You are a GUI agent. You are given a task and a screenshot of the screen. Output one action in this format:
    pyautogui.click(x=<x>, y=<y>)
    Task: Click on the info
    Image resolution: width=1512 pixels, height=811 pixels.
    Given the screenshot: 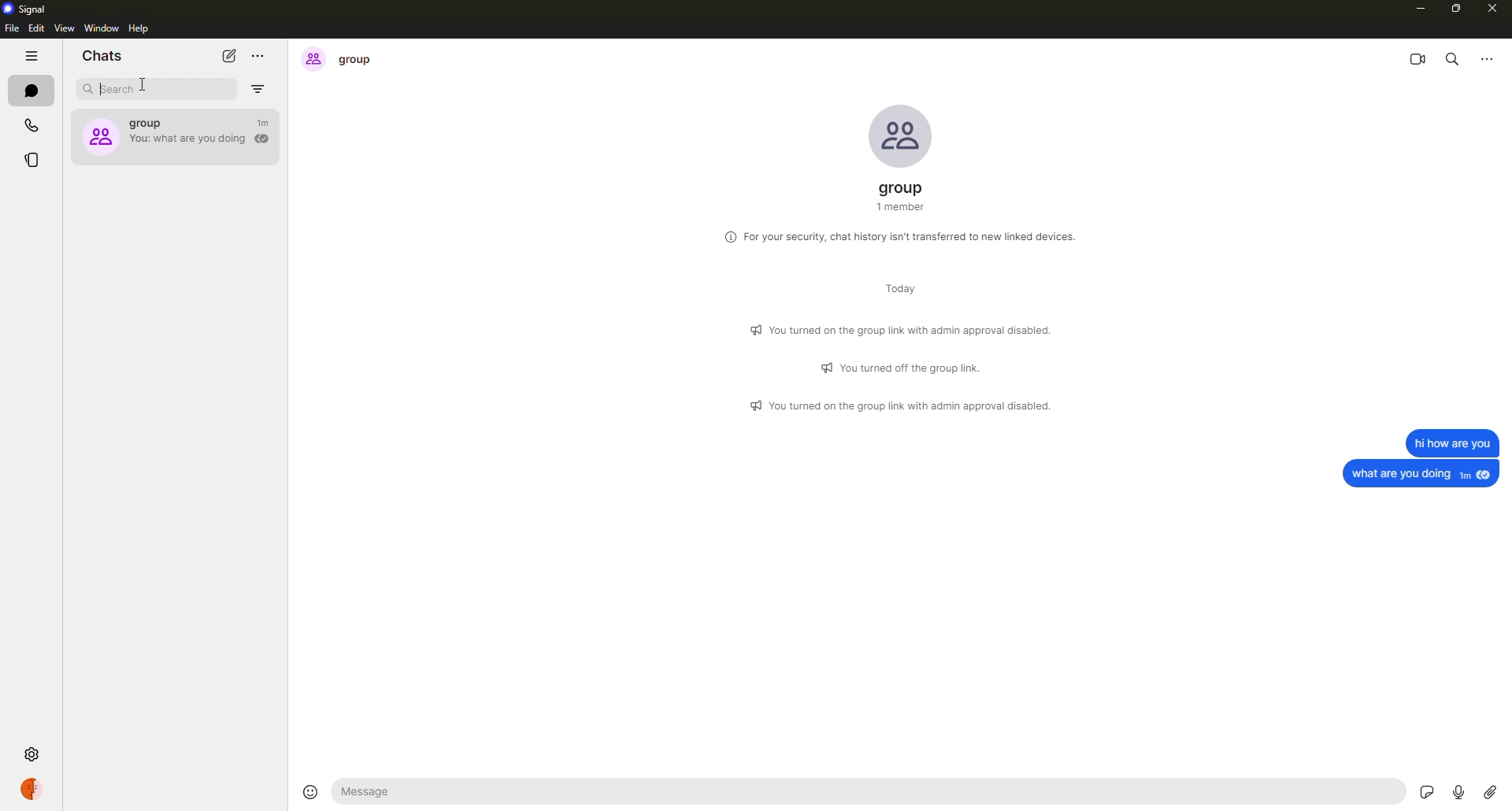 What is the action you would take?
    pyautogui.click(x=903, y=235)
    